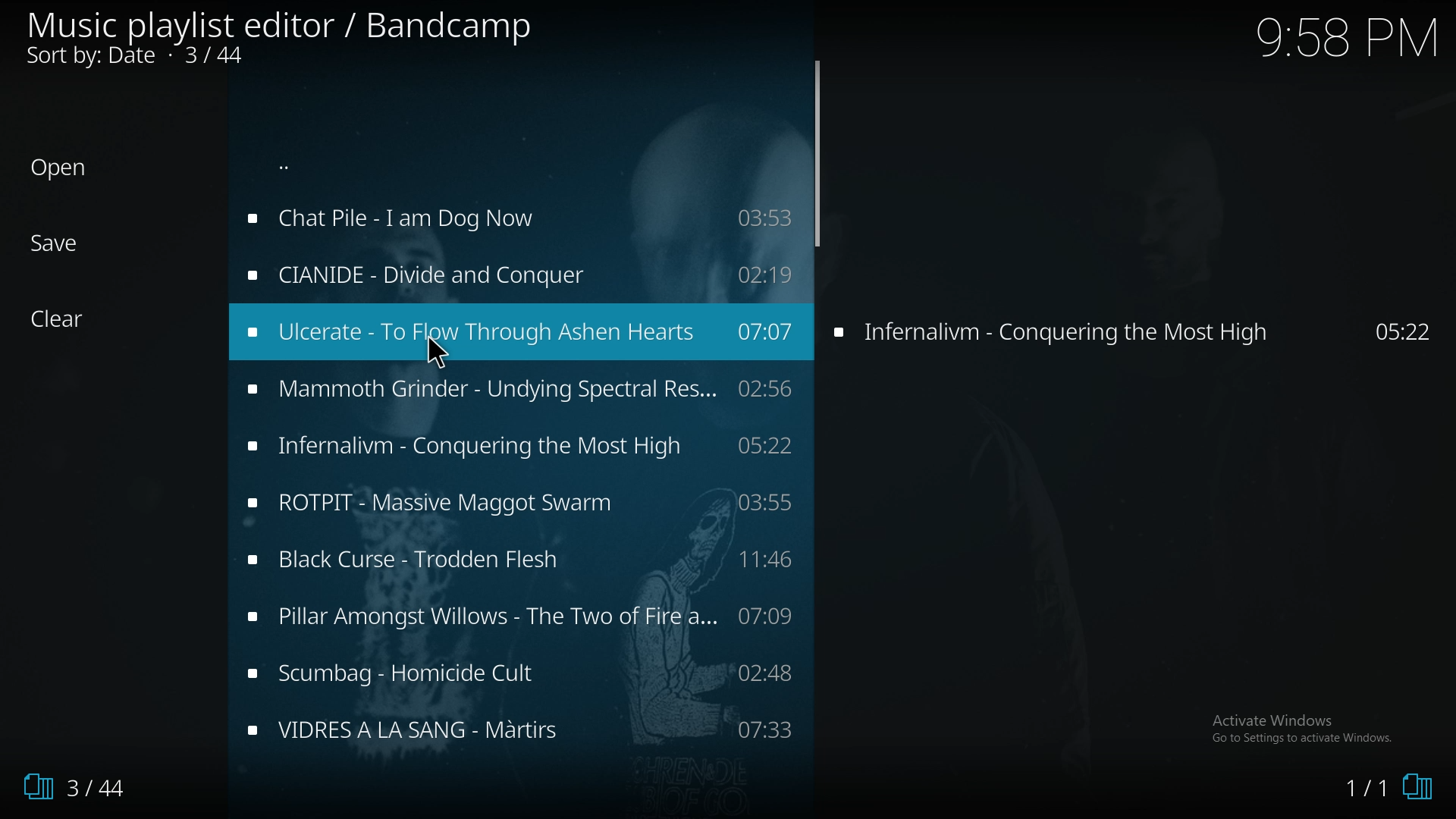 Image resolution: width=1456 pixels, height=819 pixels. I want to click on music, so click(517, 503).